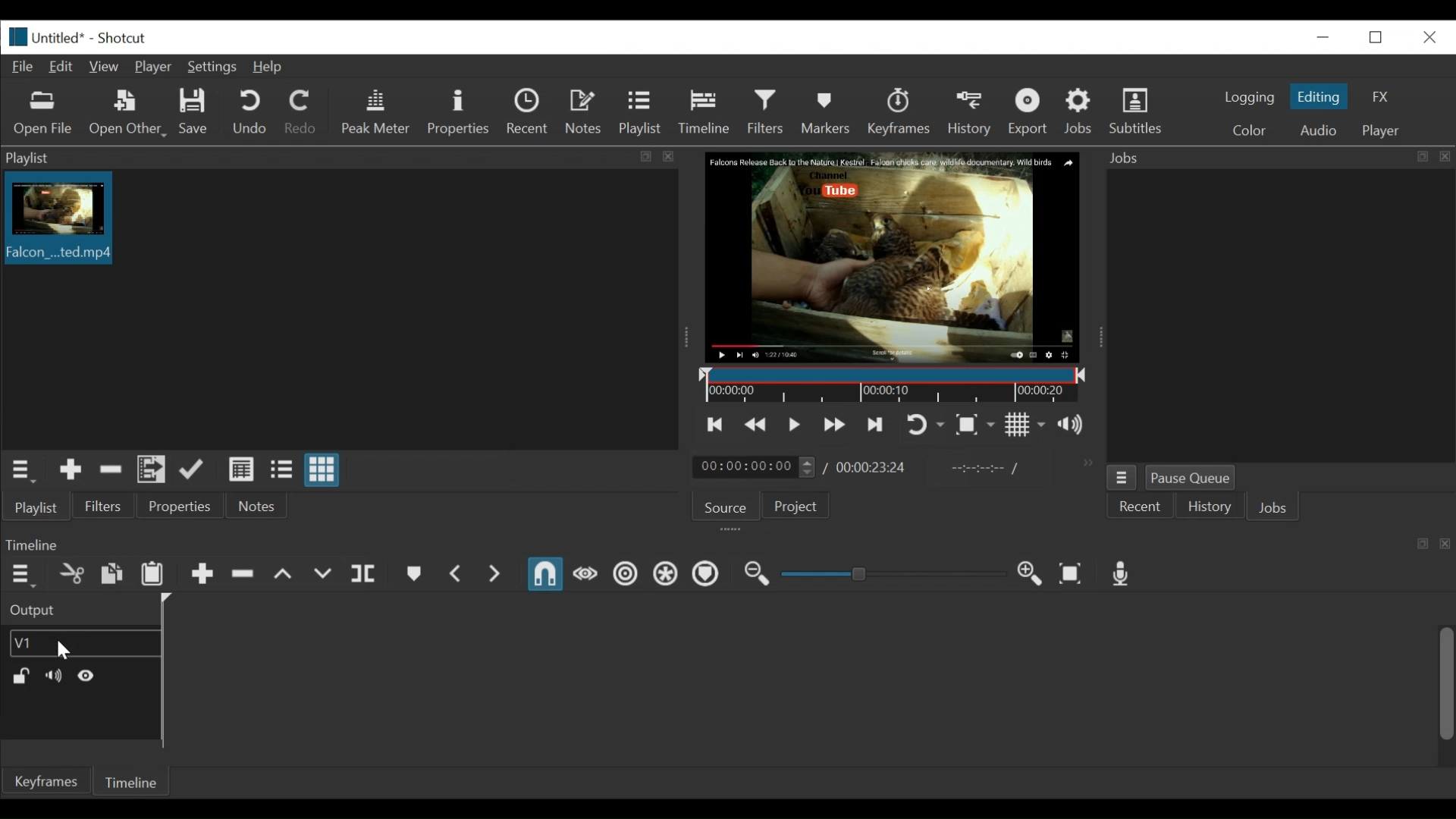 This screenshot has height=819, width=1456. What do you see at coordinates (893, 573) in the screenshot?
I see `Adjust Zoom Slider` at bounding box center [893, 573].